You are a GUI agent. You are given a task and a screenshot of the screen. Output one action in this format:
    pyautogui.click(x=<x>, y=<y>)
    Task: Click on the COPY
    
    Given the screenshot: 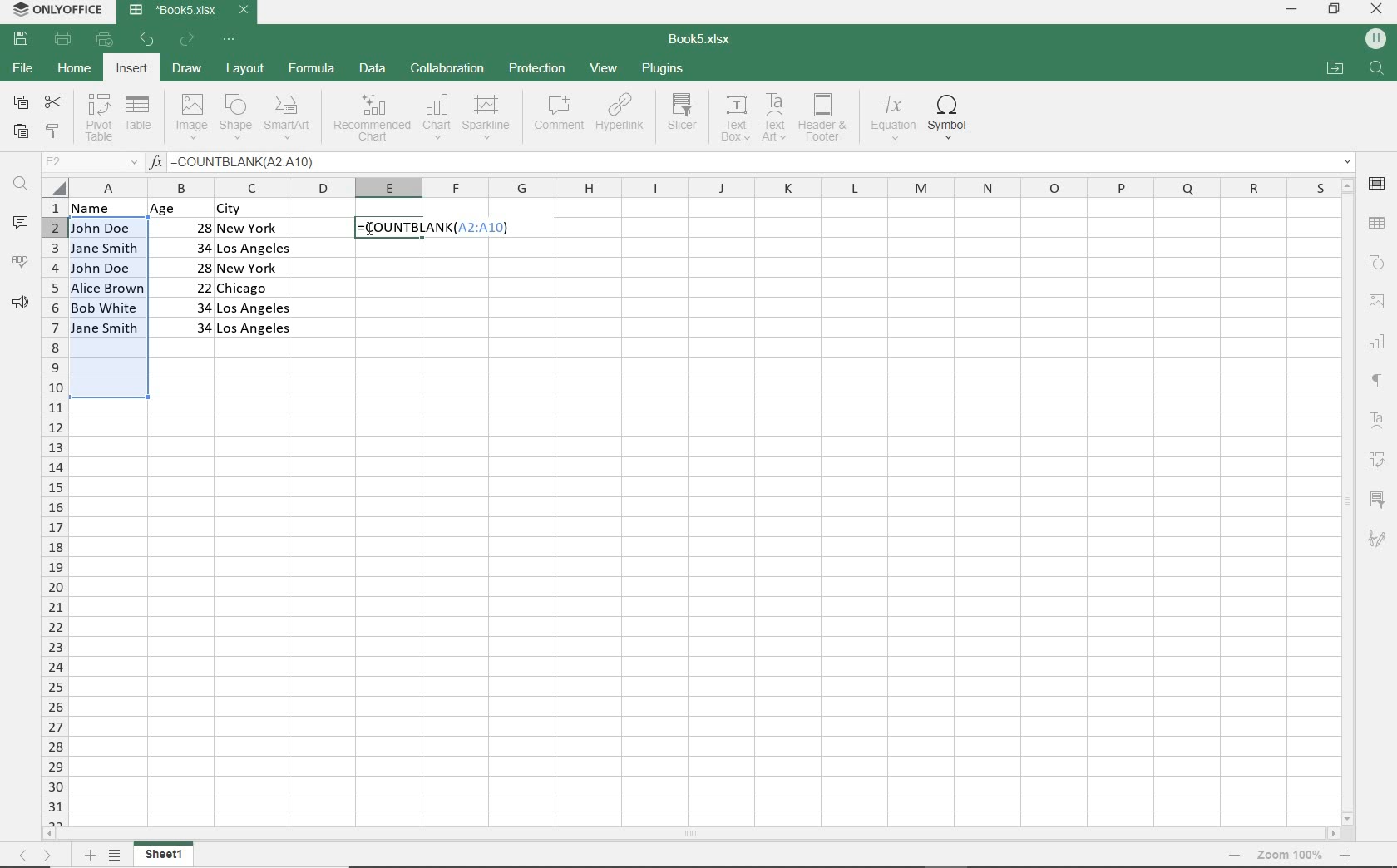 What is the action you would take?
    pyautogui.click(x=20, y=104)
    